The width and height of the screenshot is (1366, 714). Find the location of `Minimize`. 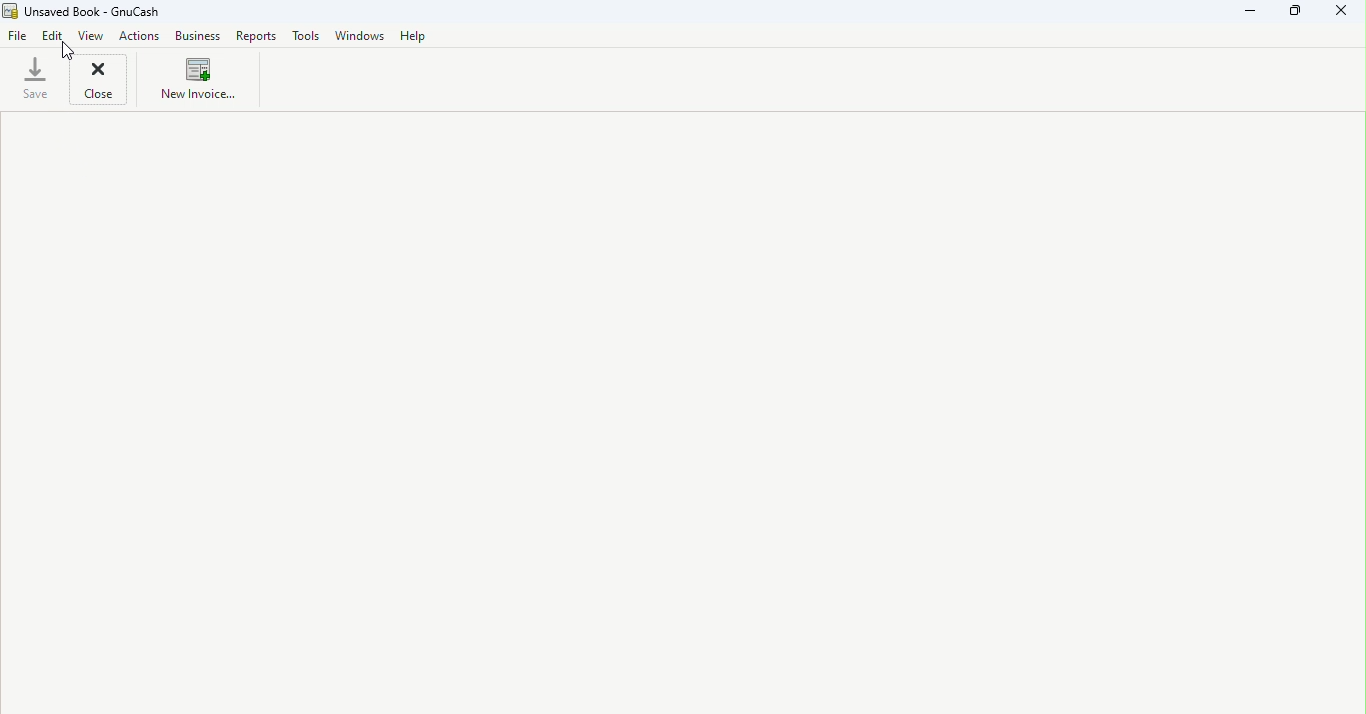

Minimize is located at coordinates (1251, 14).